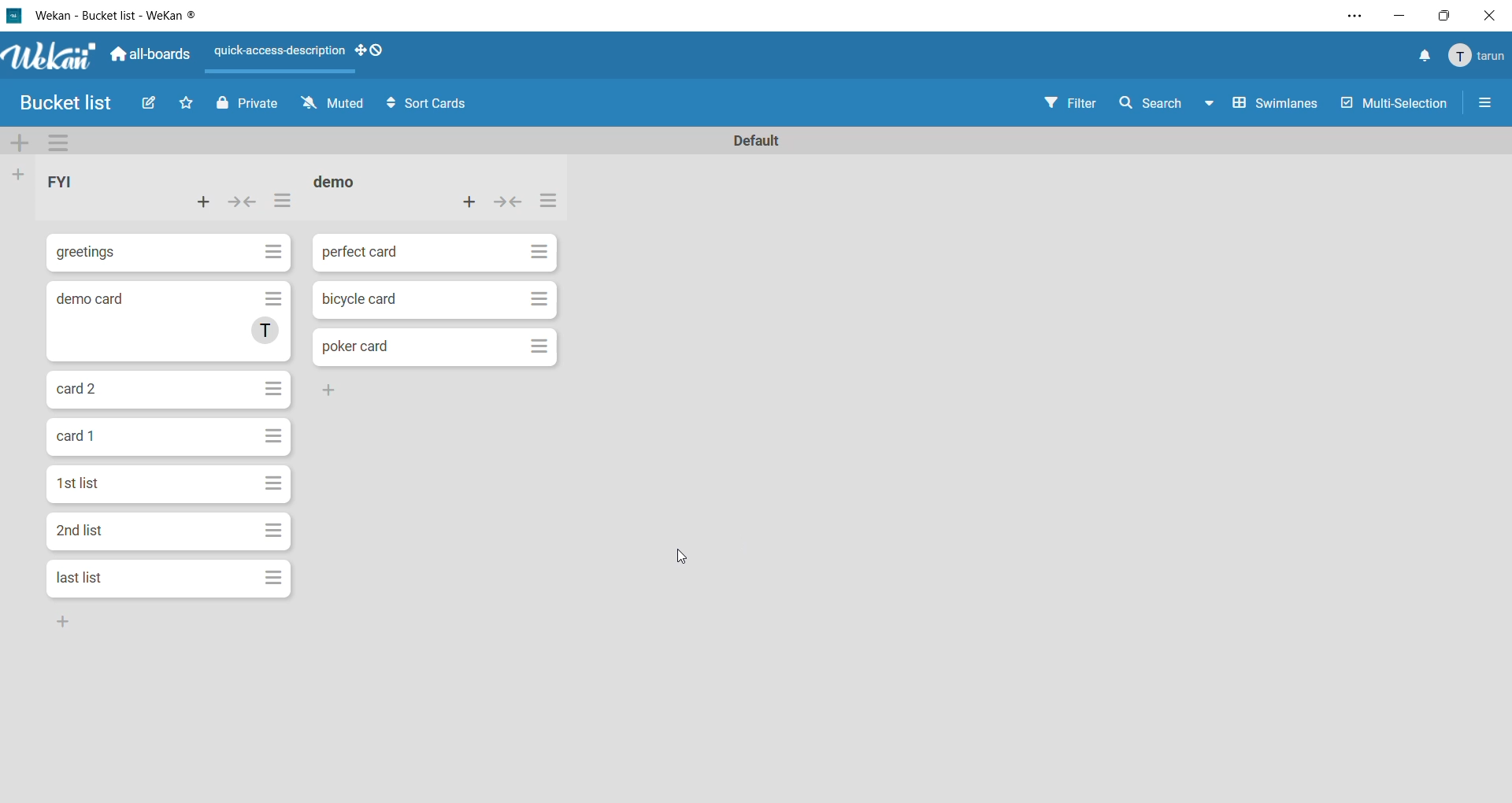 This screenshot has width=1512, height=803. I want to click on edit, so click(154, 104).